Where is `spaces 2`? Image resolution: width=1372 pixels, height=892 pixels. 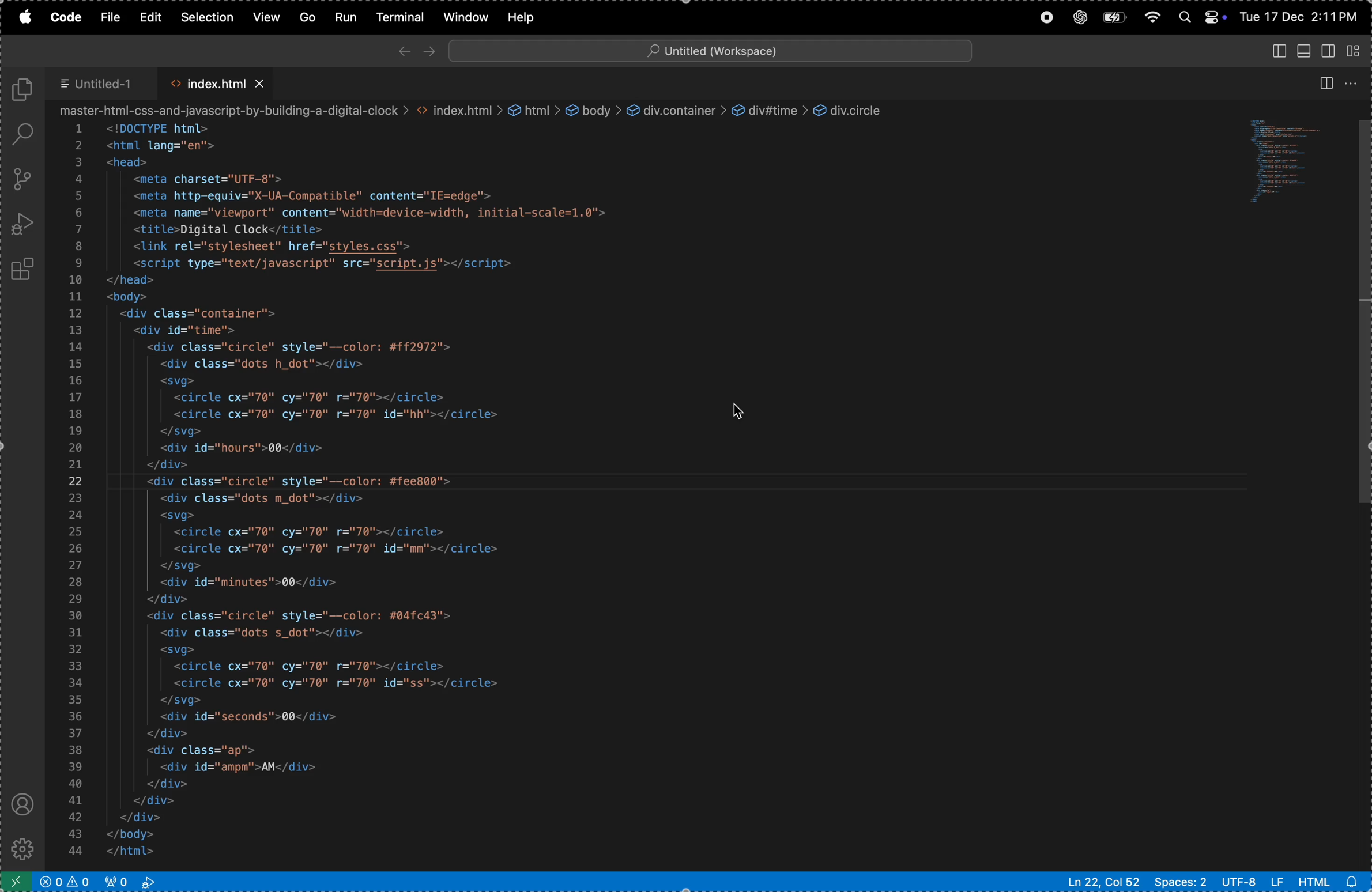
spaces 2 is located at coordinates (1179, 881).